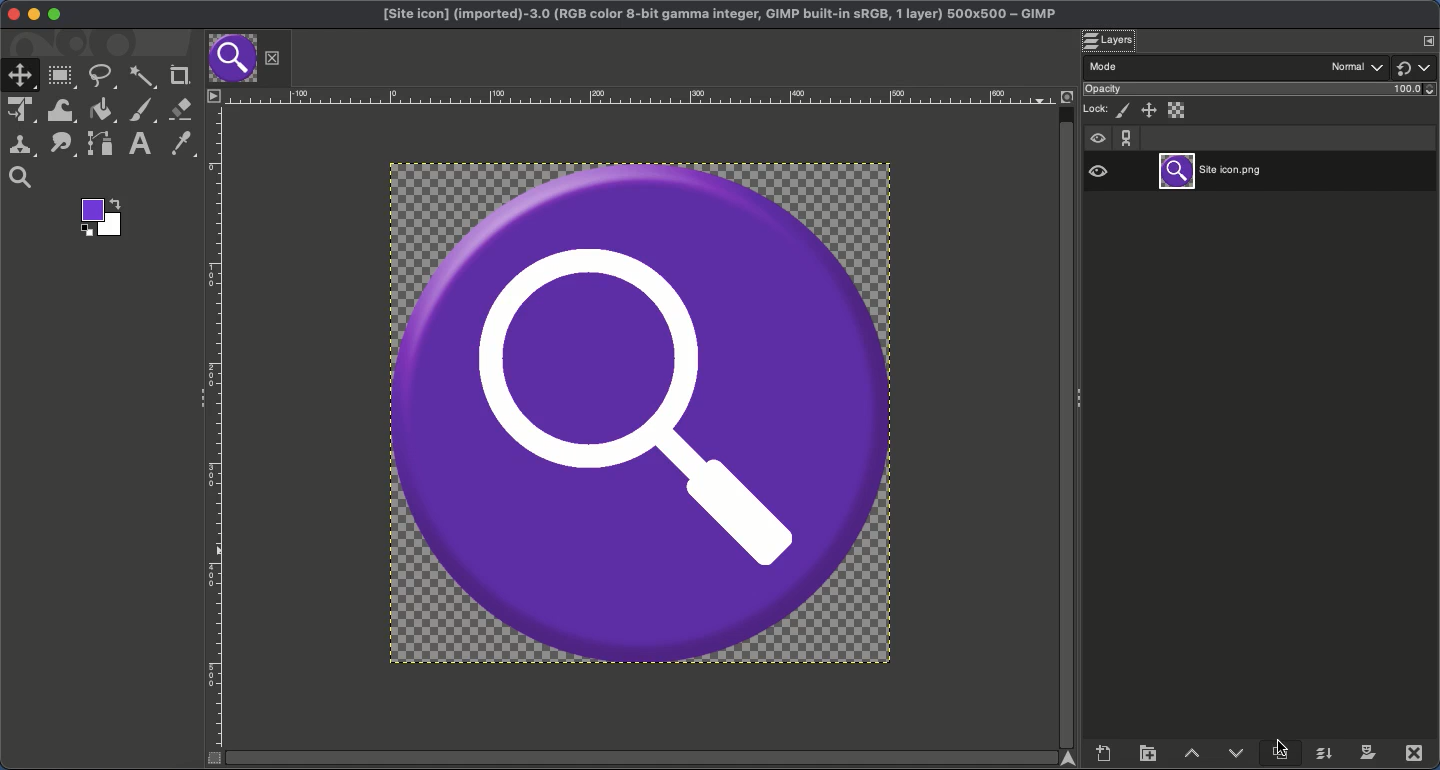 Image resolution: width=1440 pixels, height=770 pixels. Describe the element at coordinates (1414, 752) in the screenshot. I see `Delete this layer` at that location.